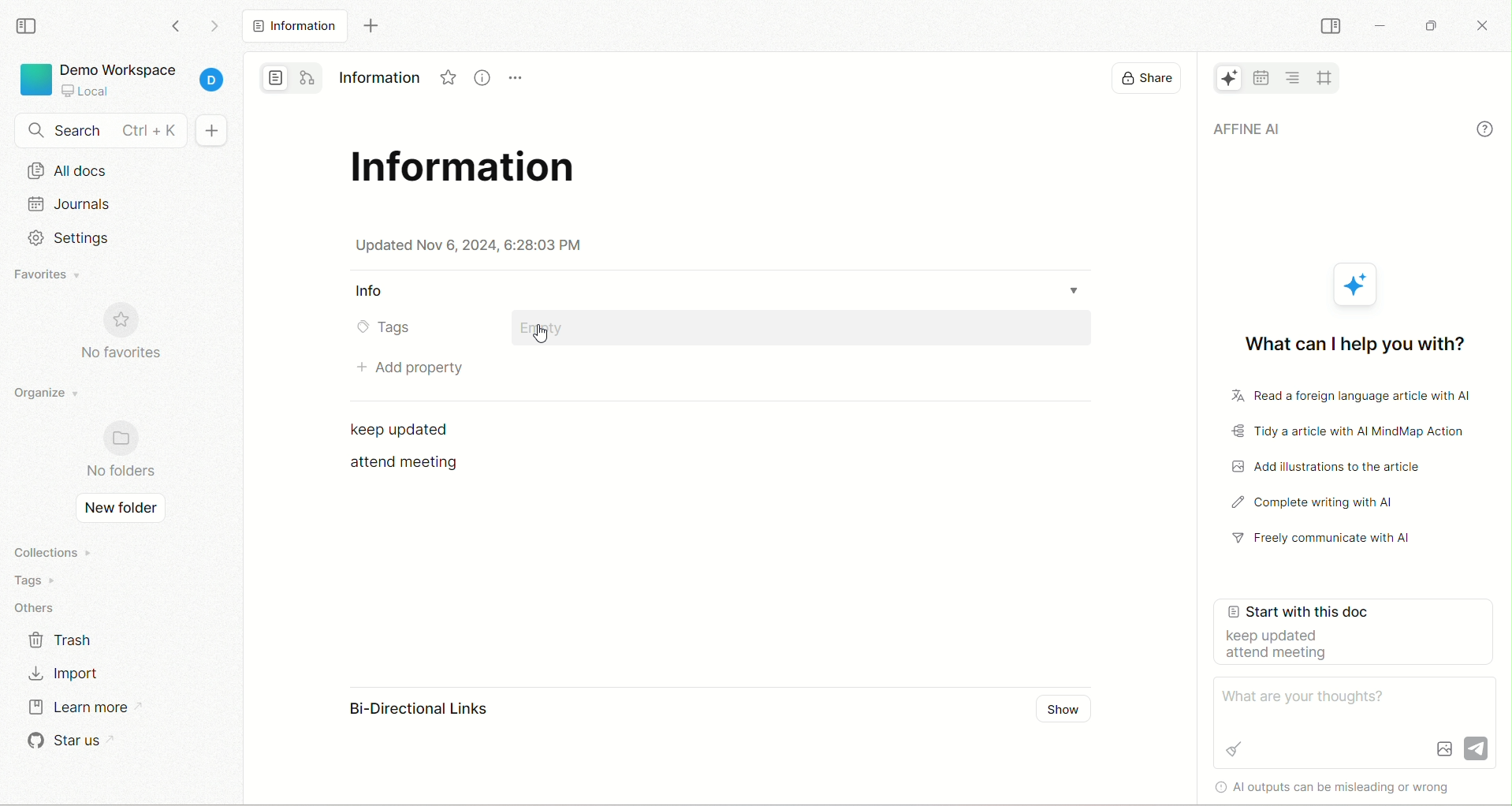 The height and width of the screenshot is (806, 1512). I want to click on date & time, so click(470, 245).